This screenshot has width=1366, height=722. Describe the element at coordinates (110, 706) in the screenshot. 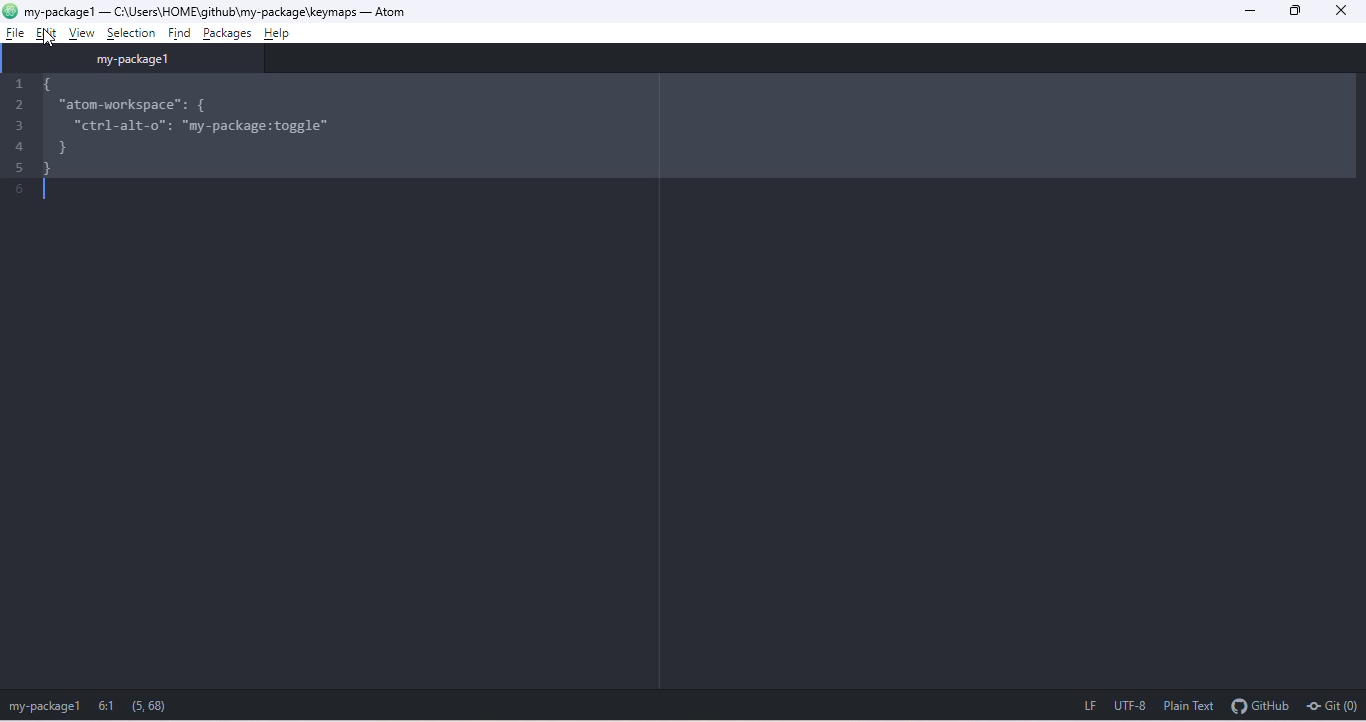

I see `6:1` at that location.